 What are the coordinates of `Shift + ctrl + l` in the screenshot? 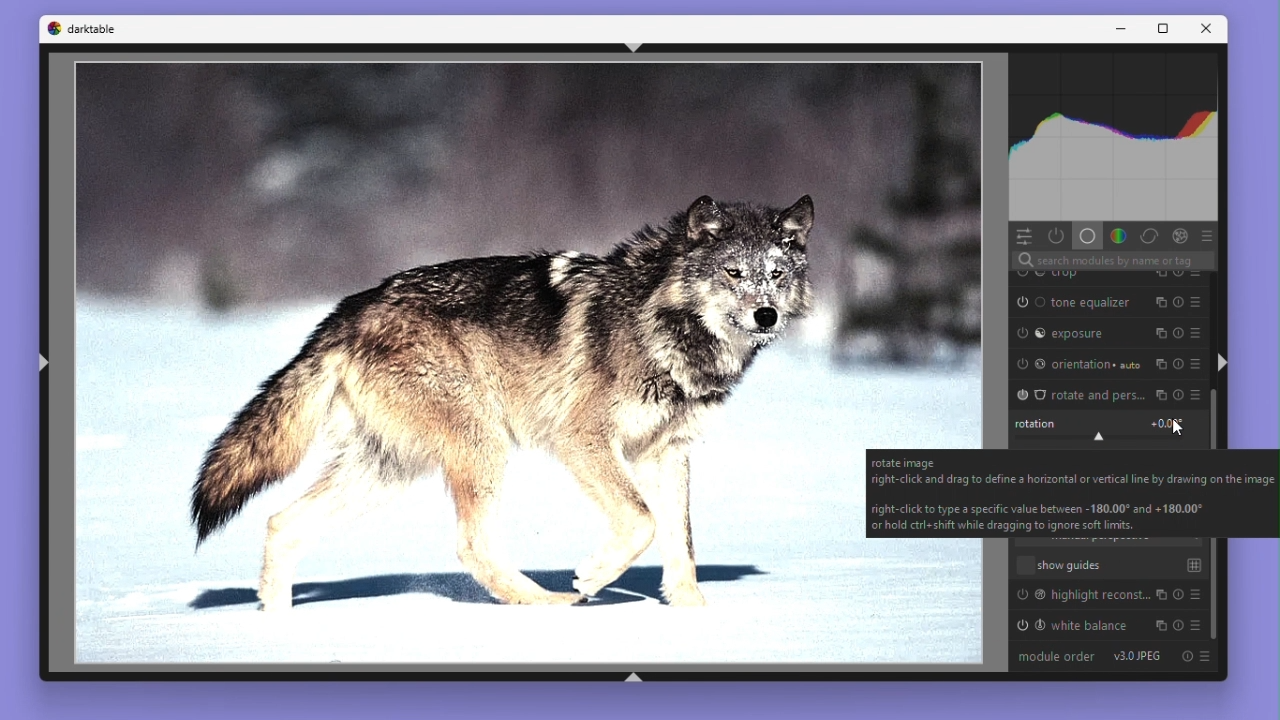 It's located at (39, 364).